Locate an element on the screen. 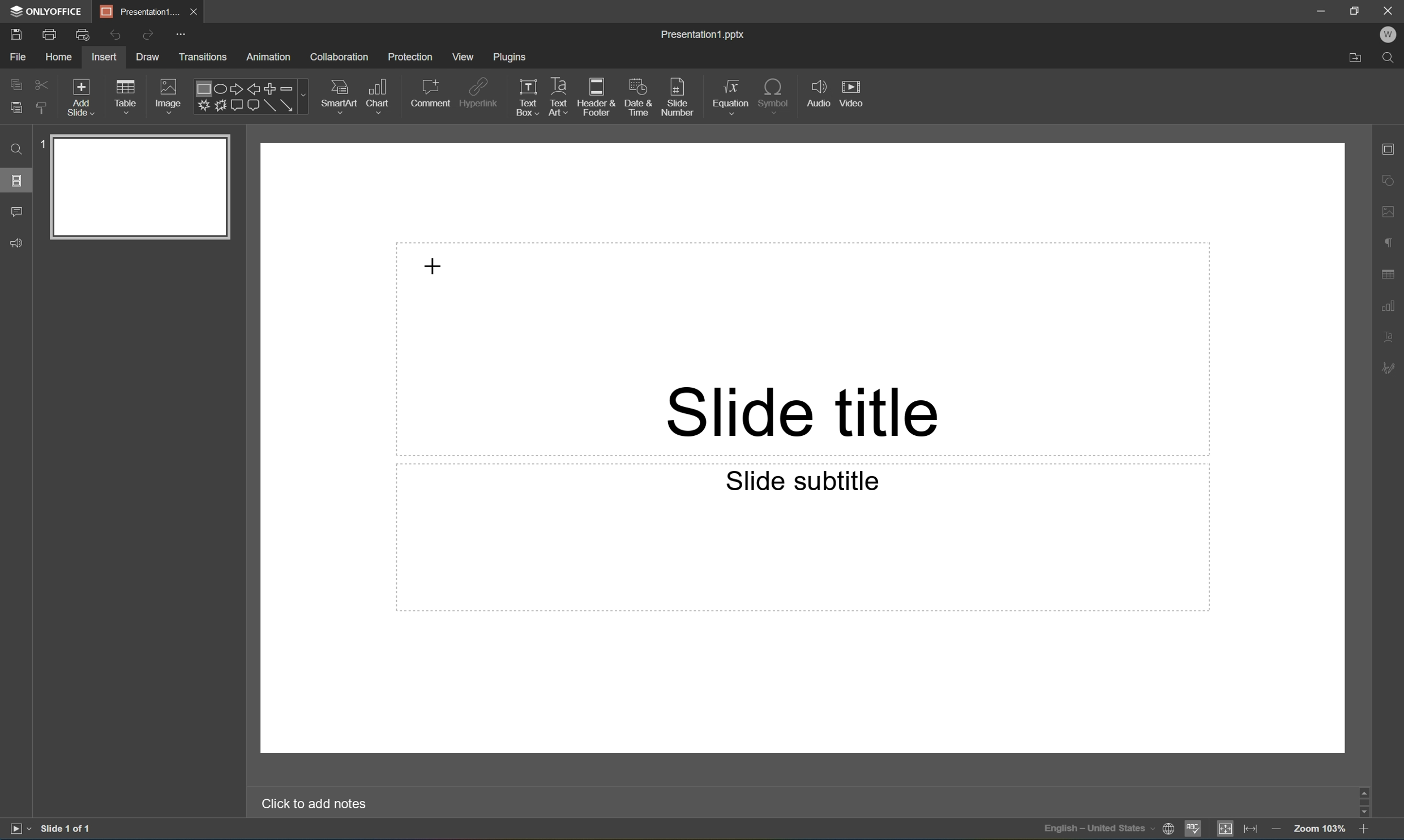 This screenshot has height=840, width=1404. Signature settings is located at coordinates (1391, 368).